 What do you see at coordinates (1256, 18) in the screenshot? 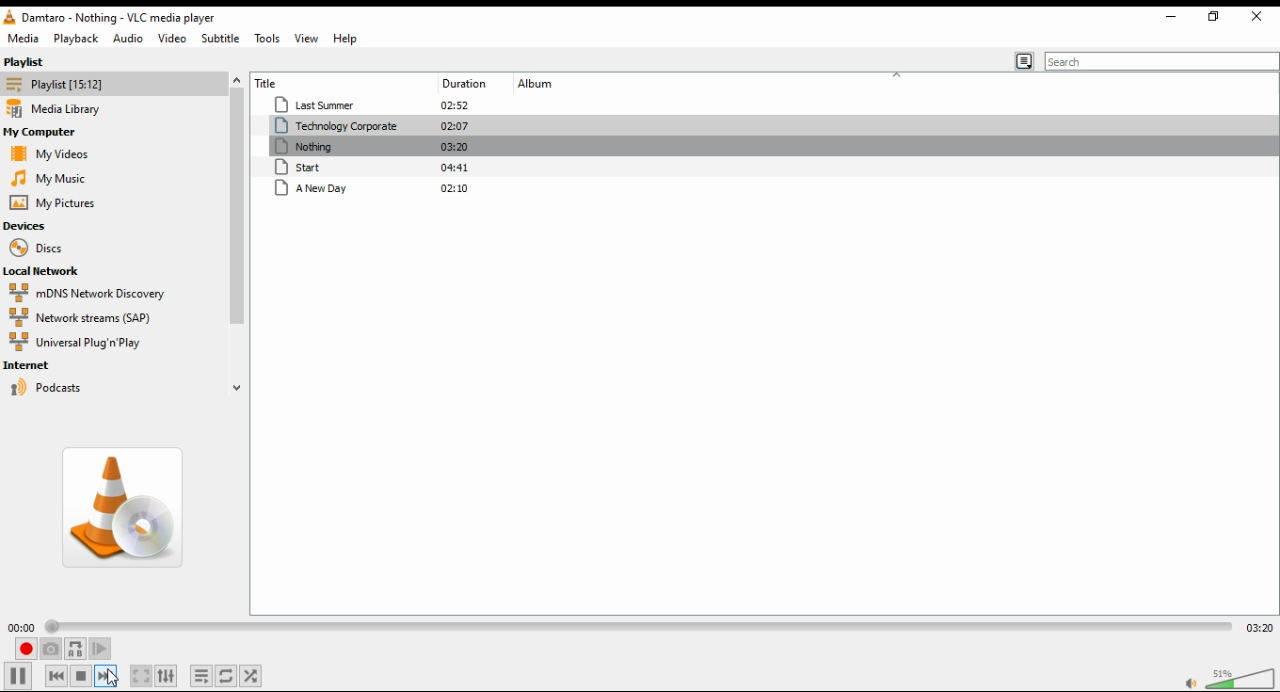
I see `close window` at bounding box center [1256, 18].